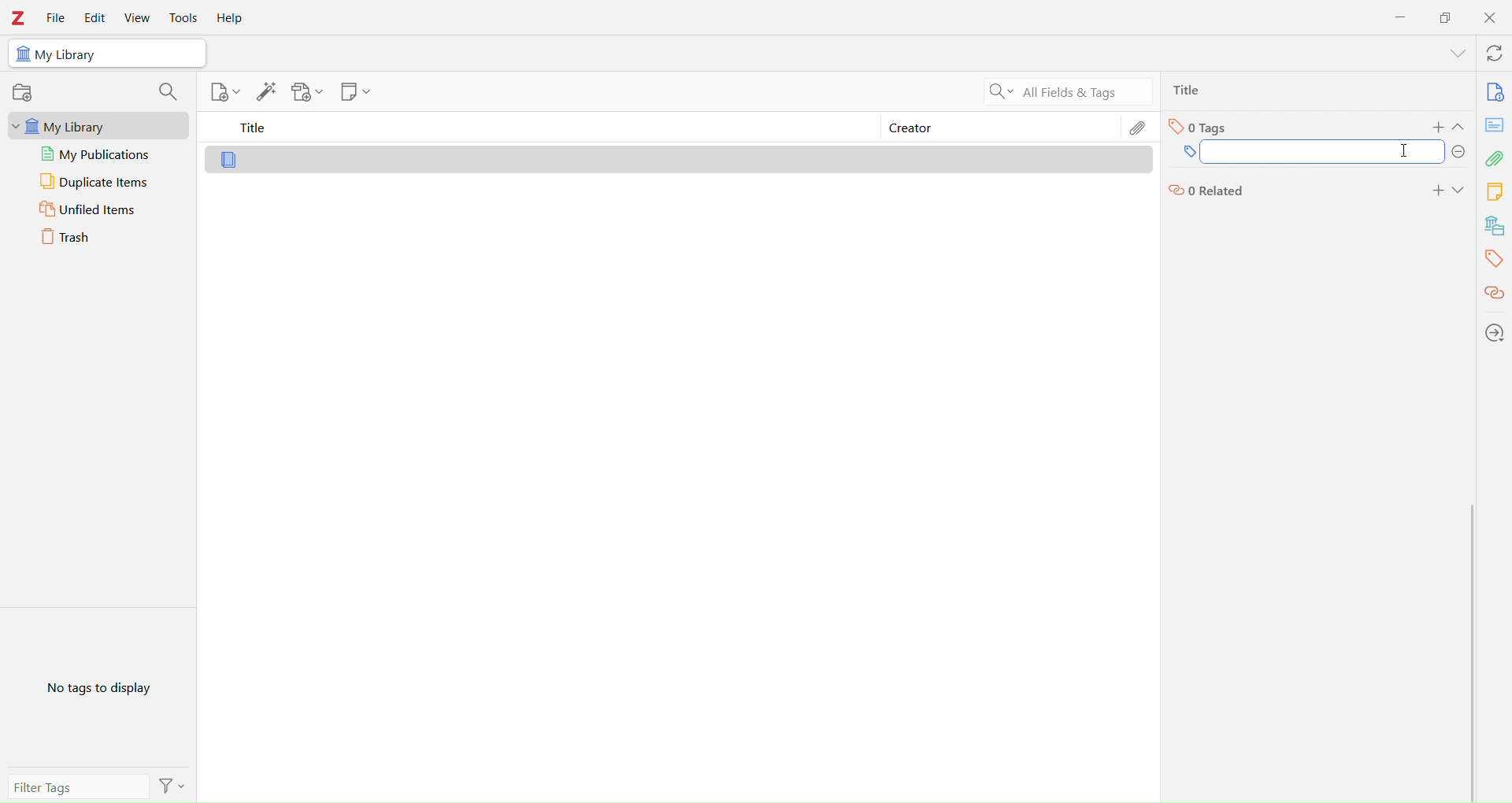 Image resolution: width=1512 pixels, height=803 pixels. I want to click on Expand section, so click(1462, 132).